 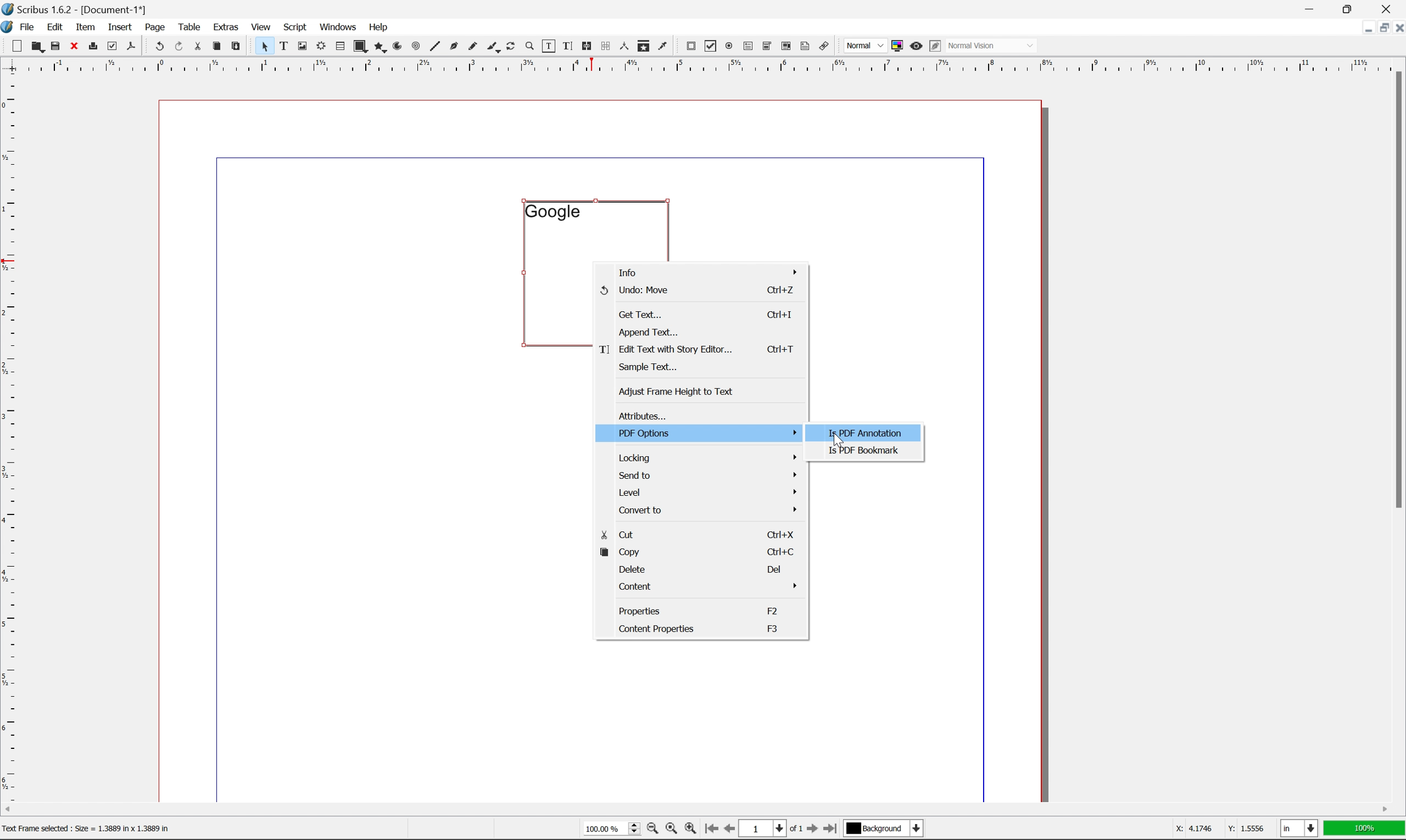 What do you see at coordinates (619, 535) in the screenshot?
I see `cut` at bounding box center [619, 535].